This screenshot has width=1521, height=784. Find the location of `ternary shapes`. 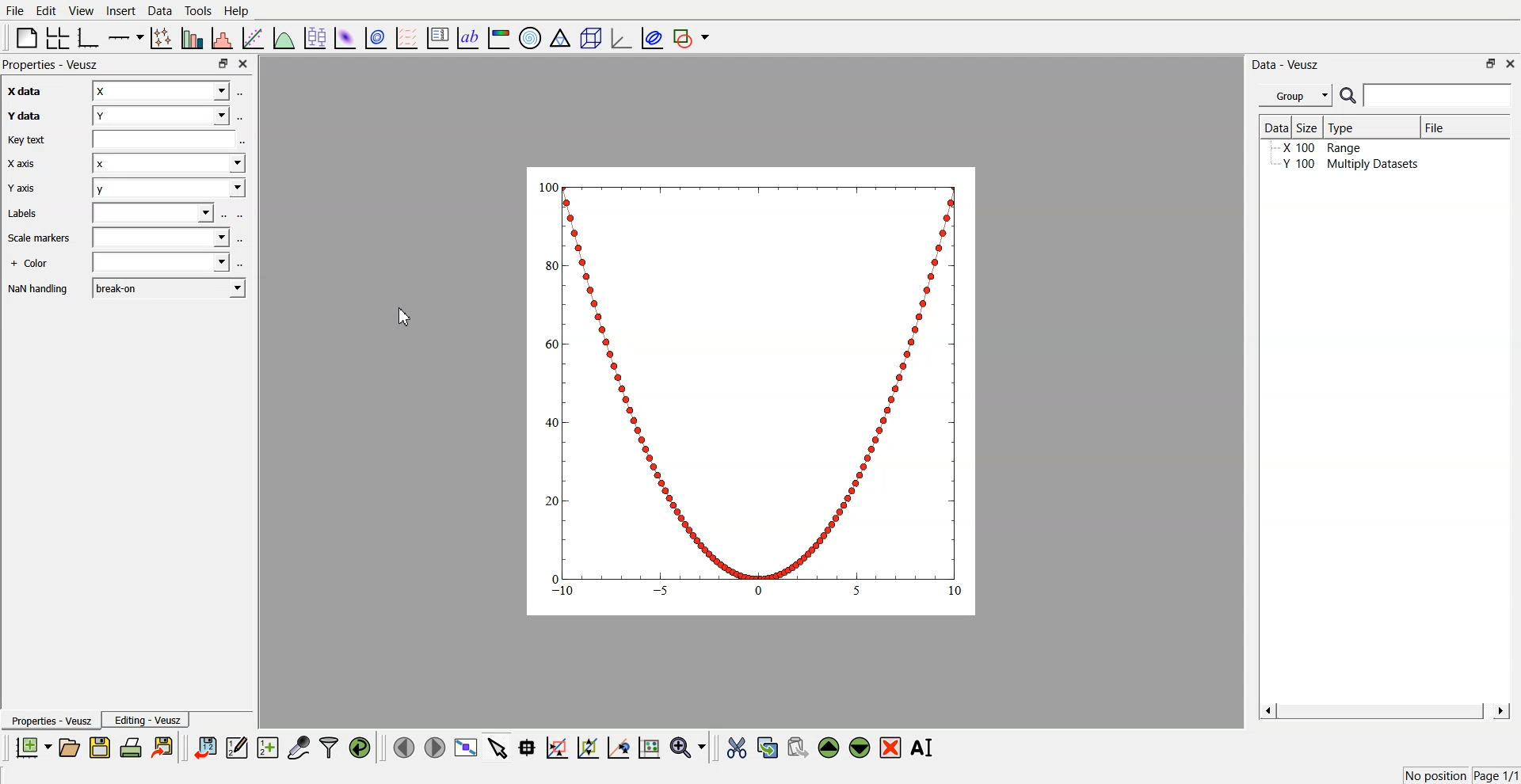

ternary shapes is located at coordinates (558, 40).